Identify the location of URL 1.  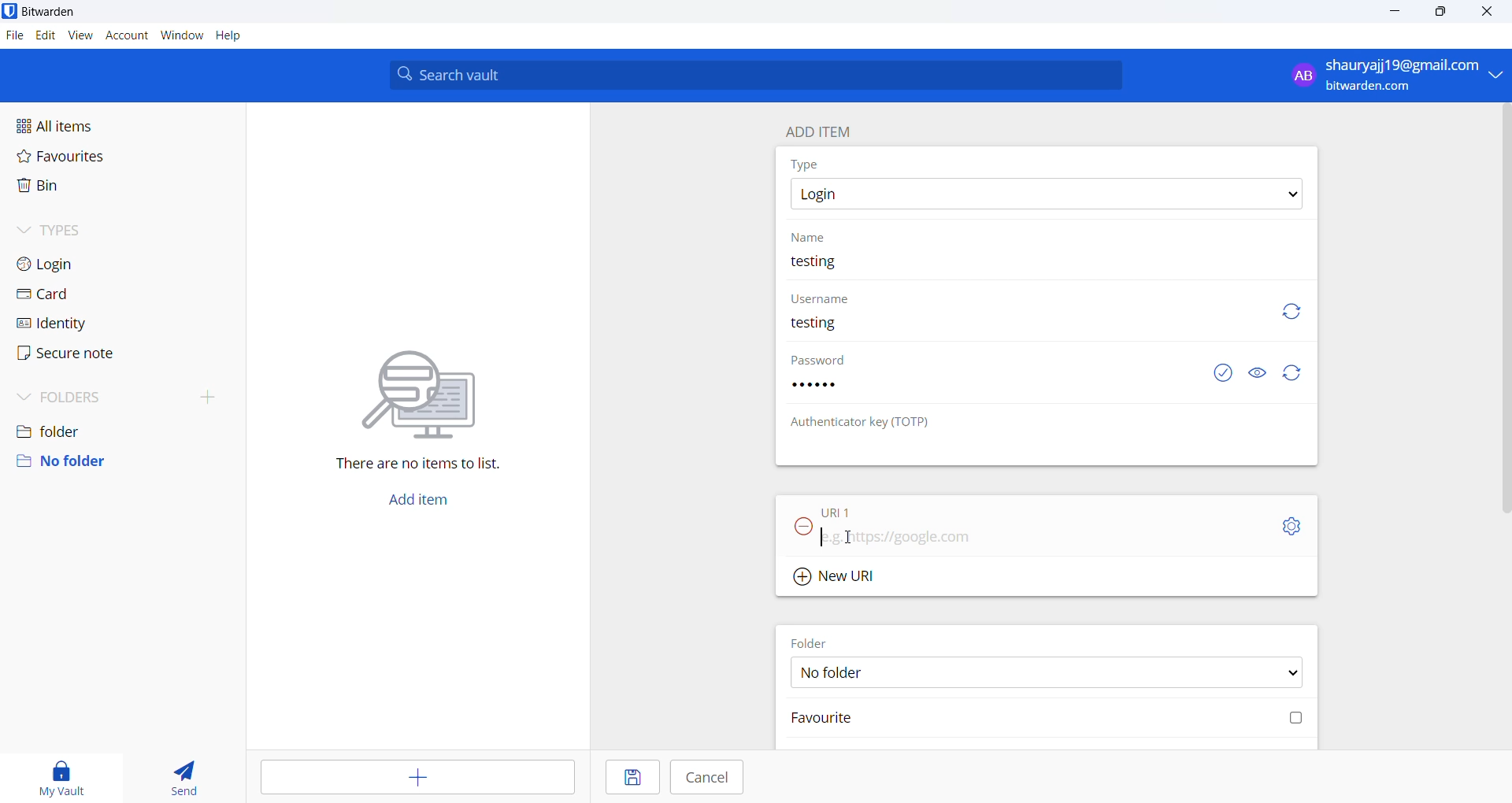
(865, 511).